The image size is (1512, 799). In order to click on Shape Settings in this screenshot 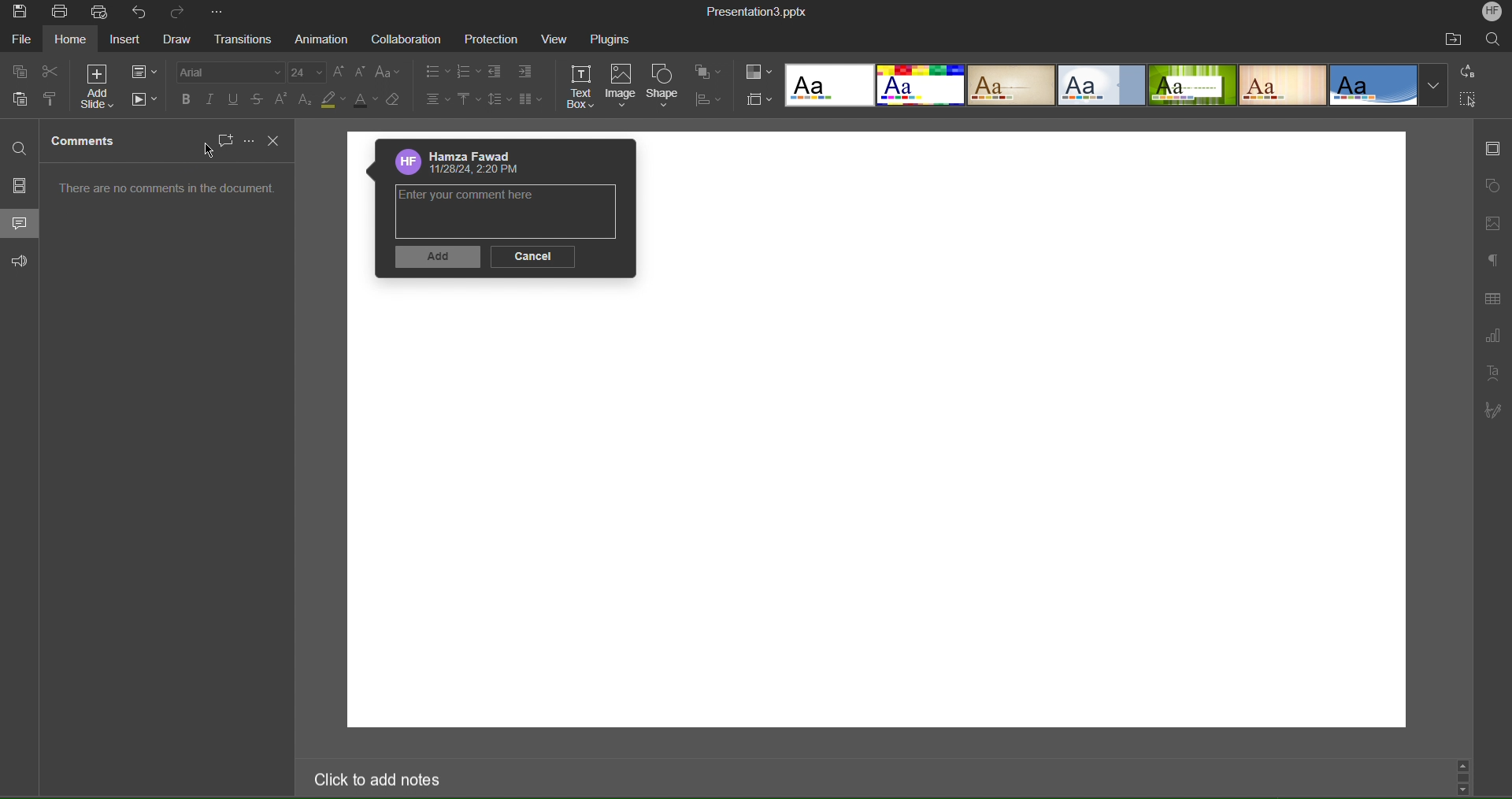, I will do `click(1493, 186)`.